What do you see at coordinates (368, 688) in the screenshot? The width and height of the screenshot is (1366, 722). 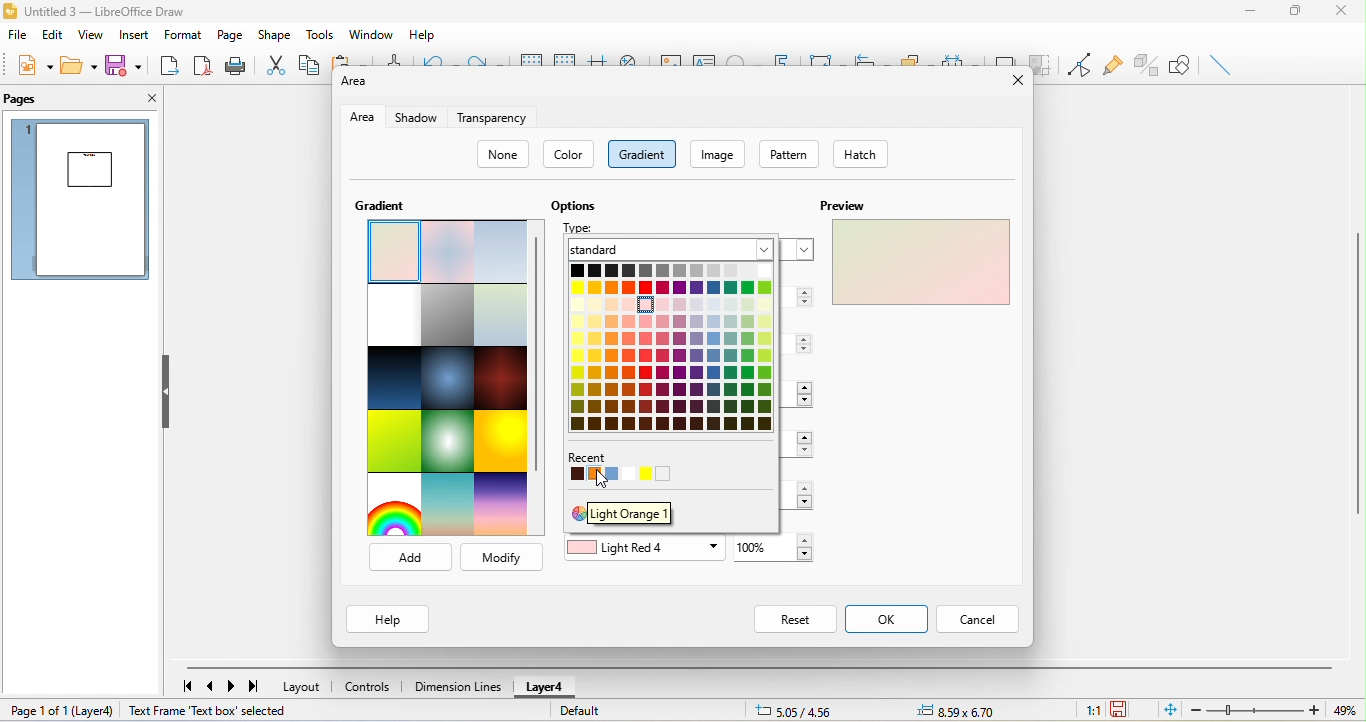 I see `controls` at bounding box center [368, 688].